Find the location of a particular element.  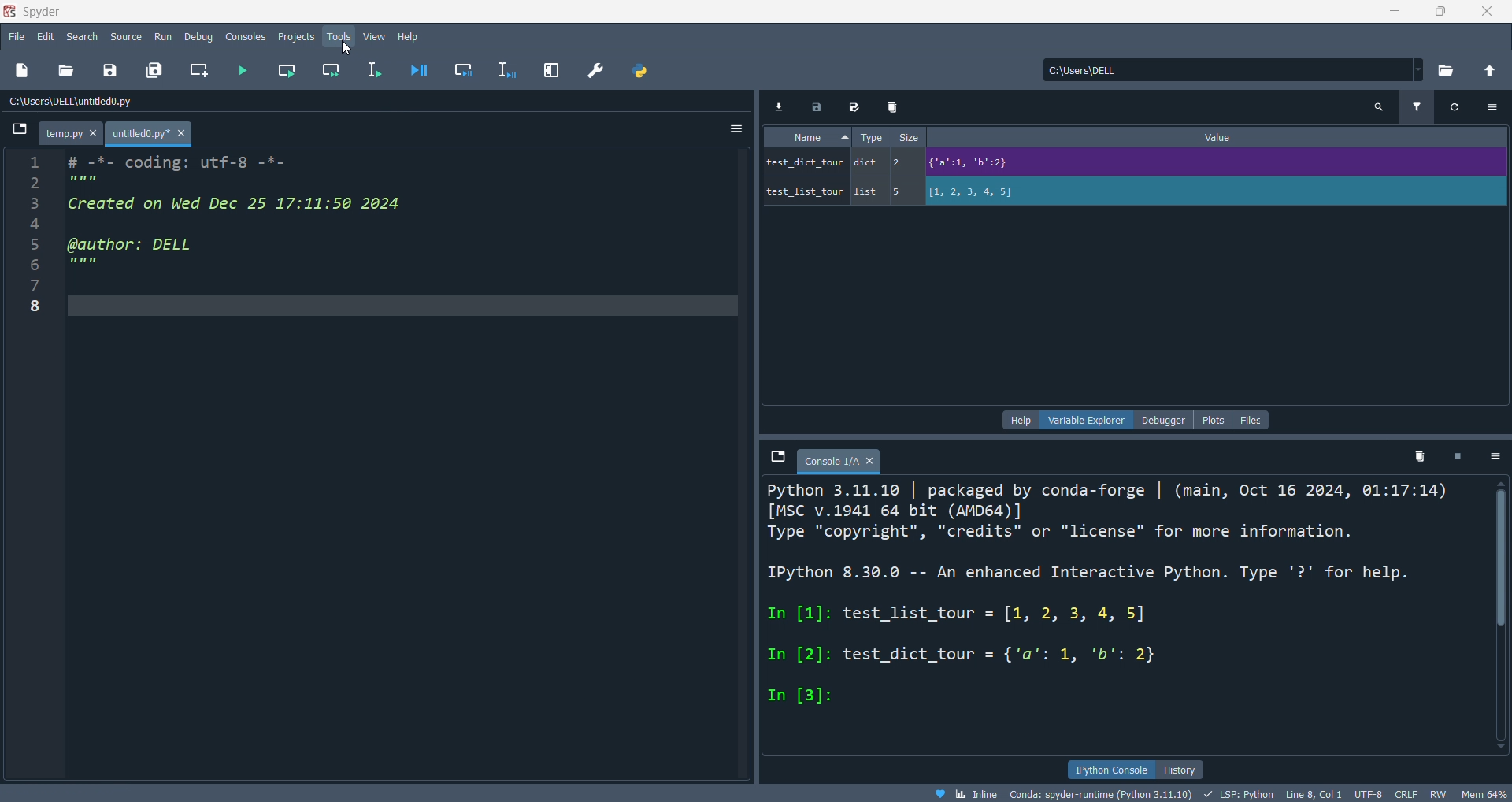

close is located at coordinates (1488, 13).